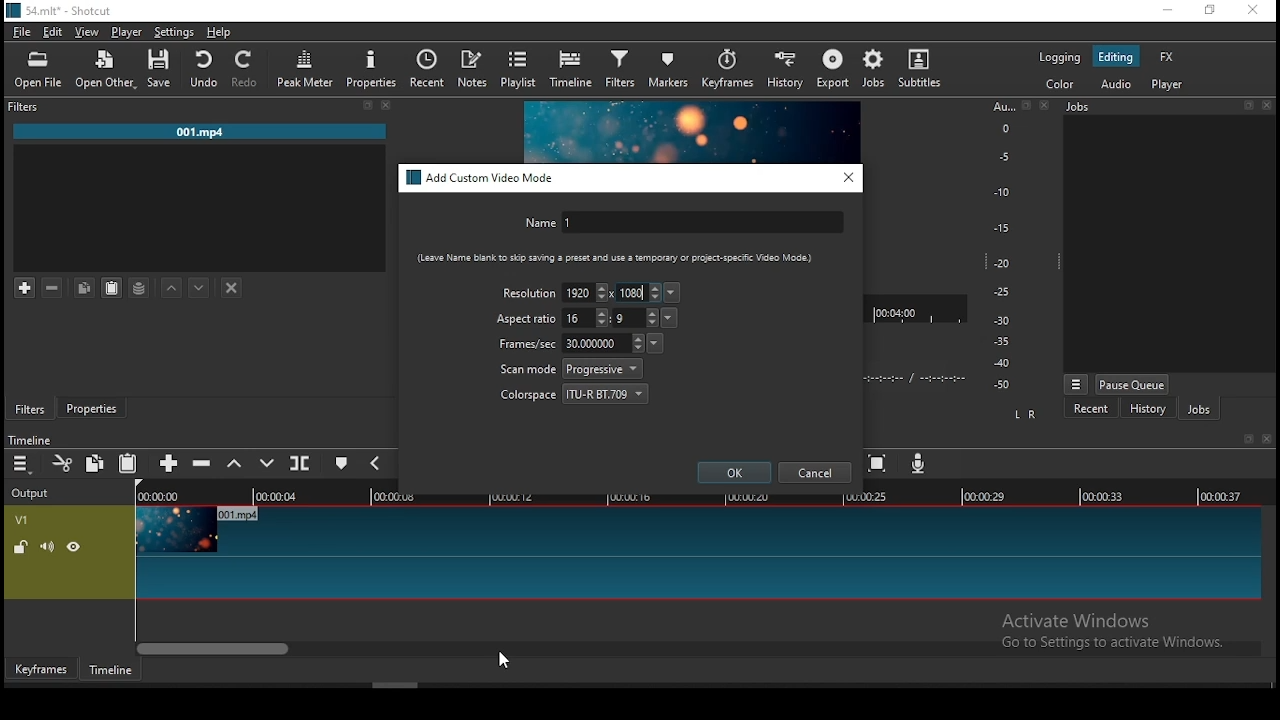 Image resolution: width=1280 pixels, height=720 pixels. What do you see at coordinates (219, 32) in the screenshot?
I see `help` at bounding box center [219, 32].